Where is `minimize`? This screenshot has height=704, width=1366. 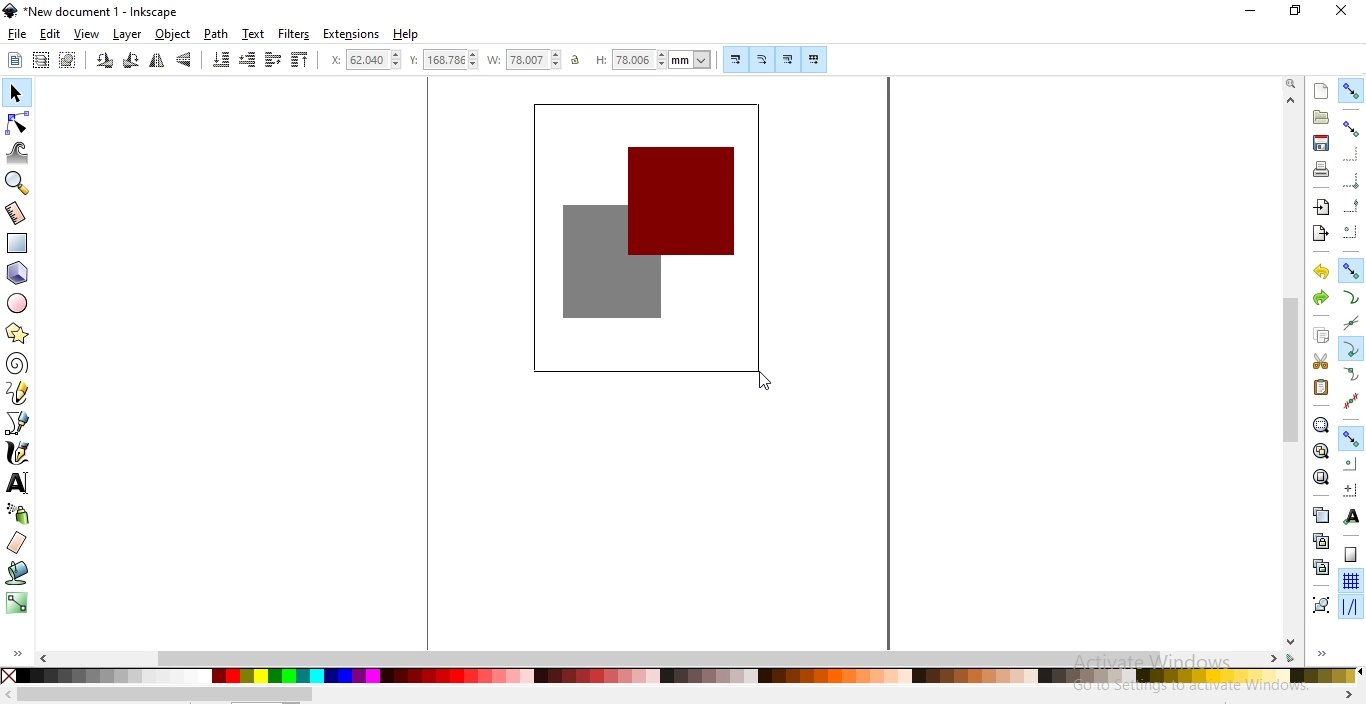 minimize is located at coordinates (1251, 12).